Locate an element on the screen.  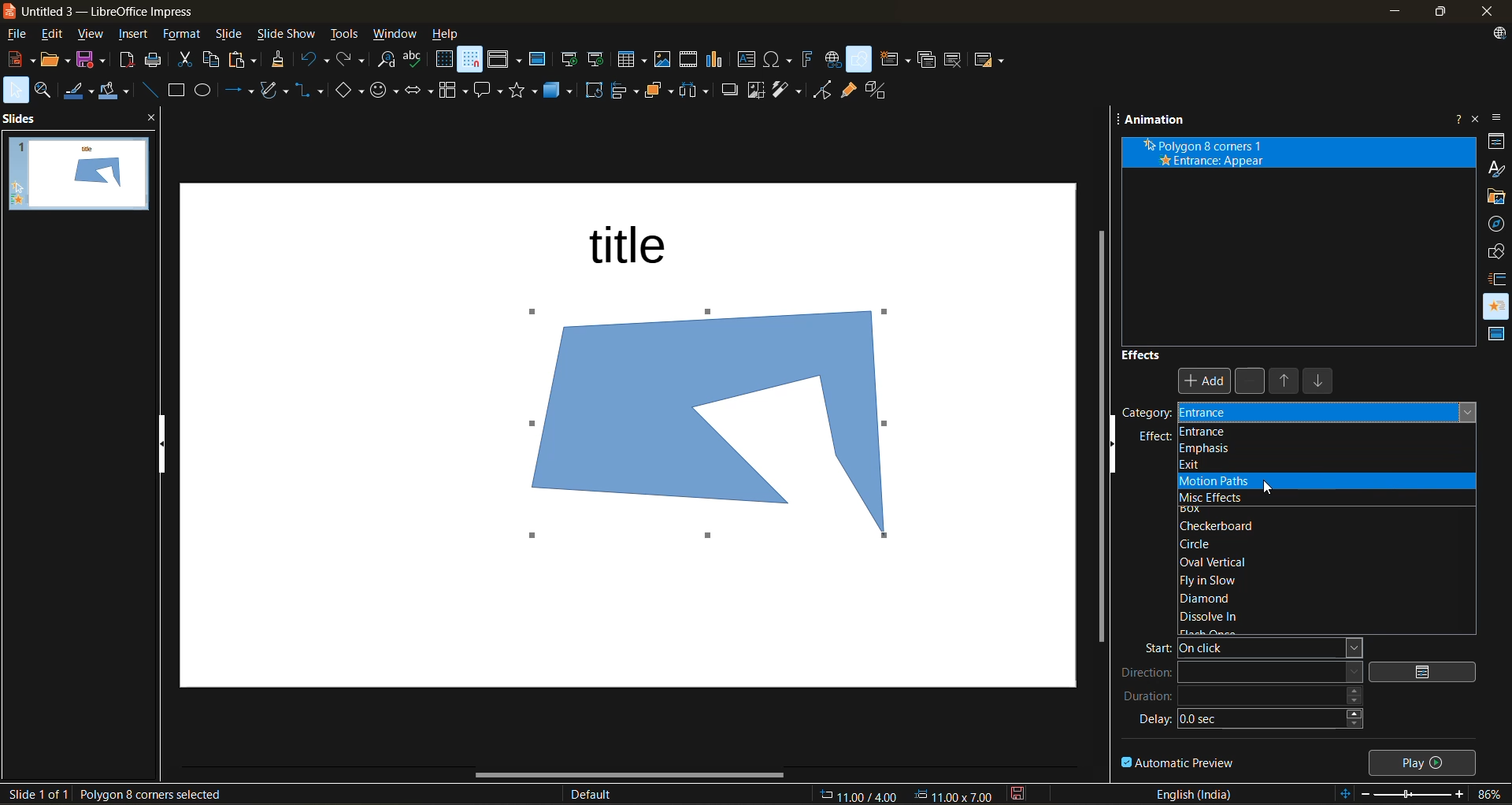
help is located at coordinates (447, 34).